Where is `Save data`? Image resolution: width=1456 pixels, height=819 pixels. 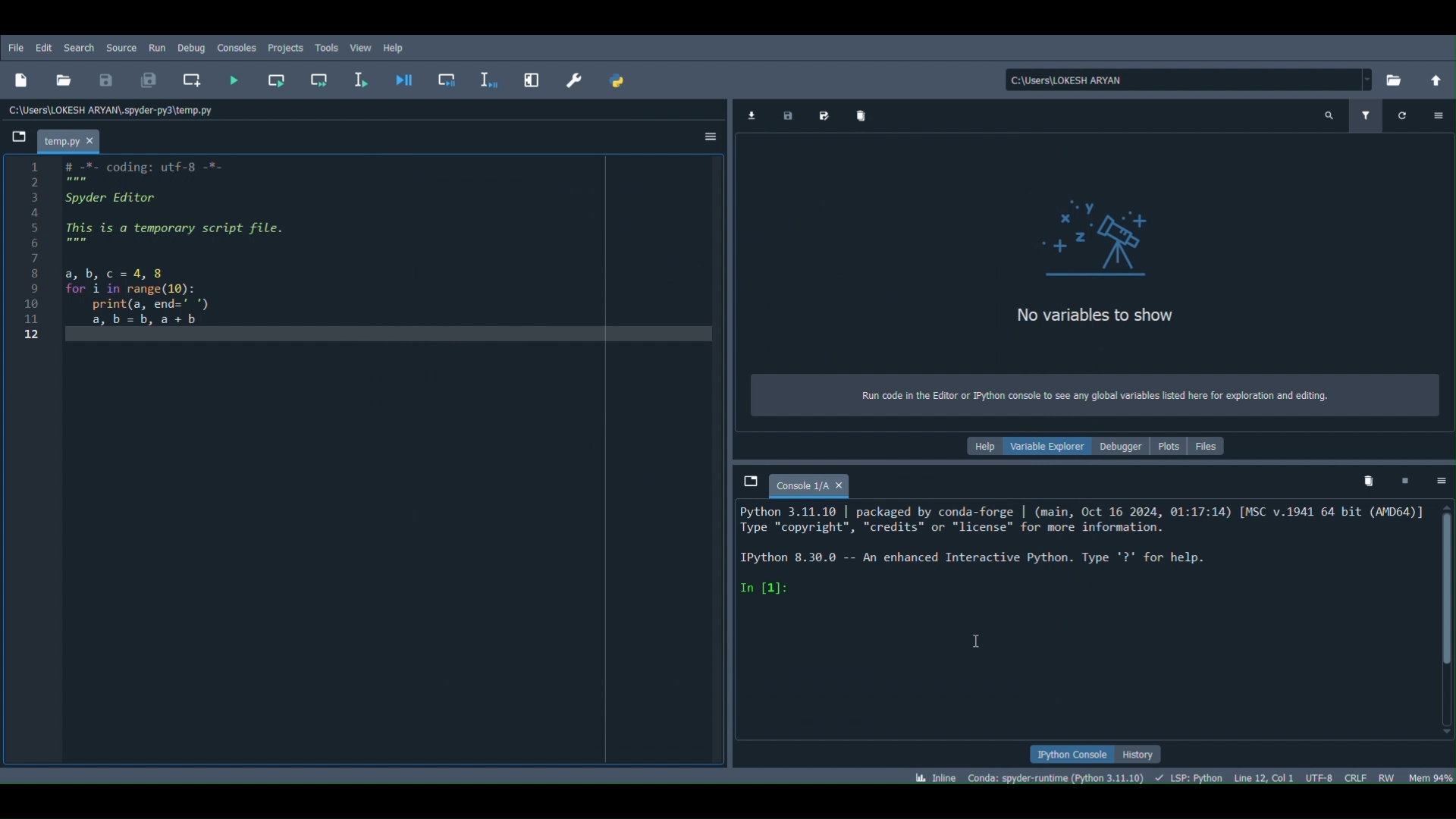
Save data is located at coordinates (789, 113).